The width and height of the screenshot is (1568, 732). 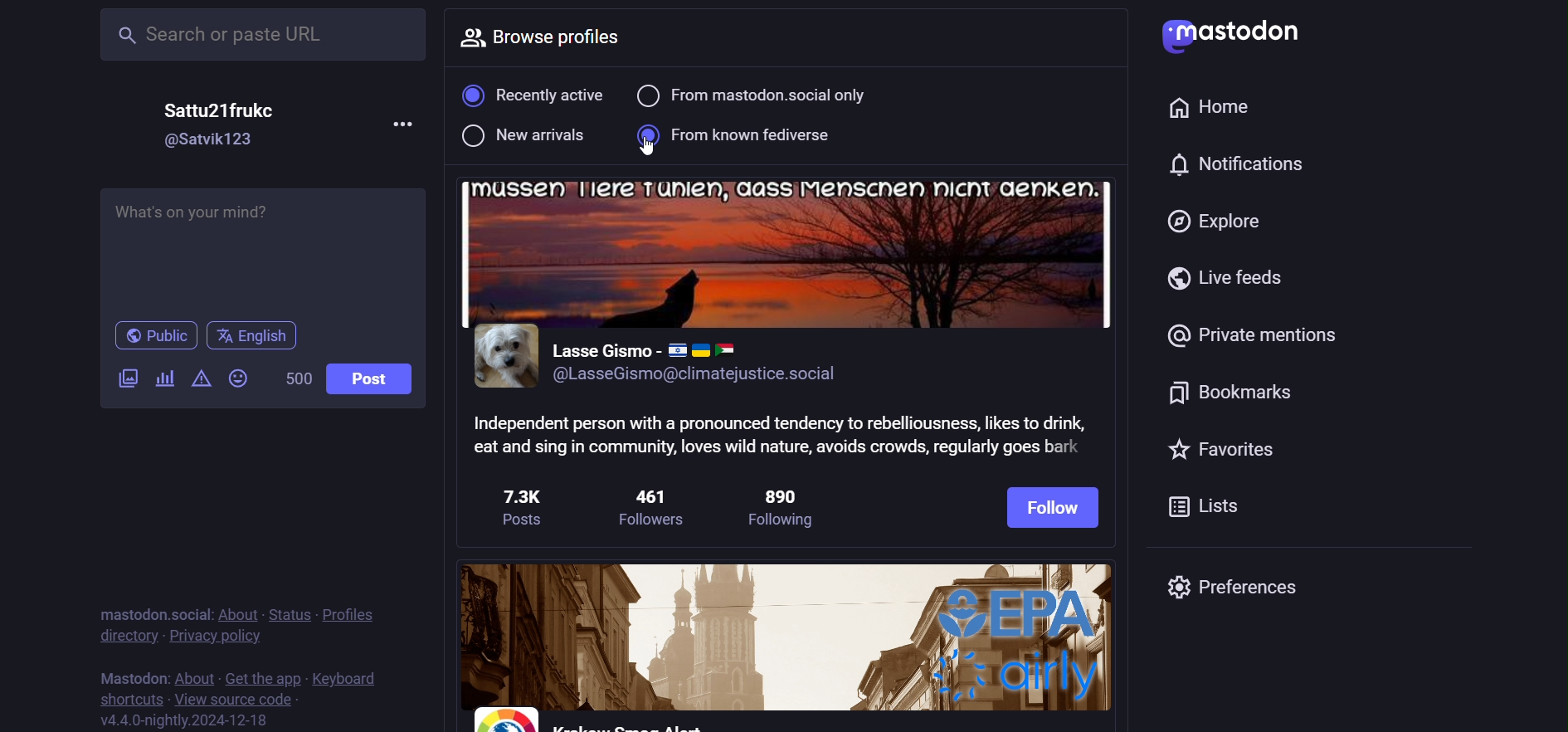 I want to click on Independent person with a pronounced tendency to rebelliousness, likes to drink,
eat and sing in community, loves wild nature, avoids crowds, regularly goes bark, so click(x=780, y=440).